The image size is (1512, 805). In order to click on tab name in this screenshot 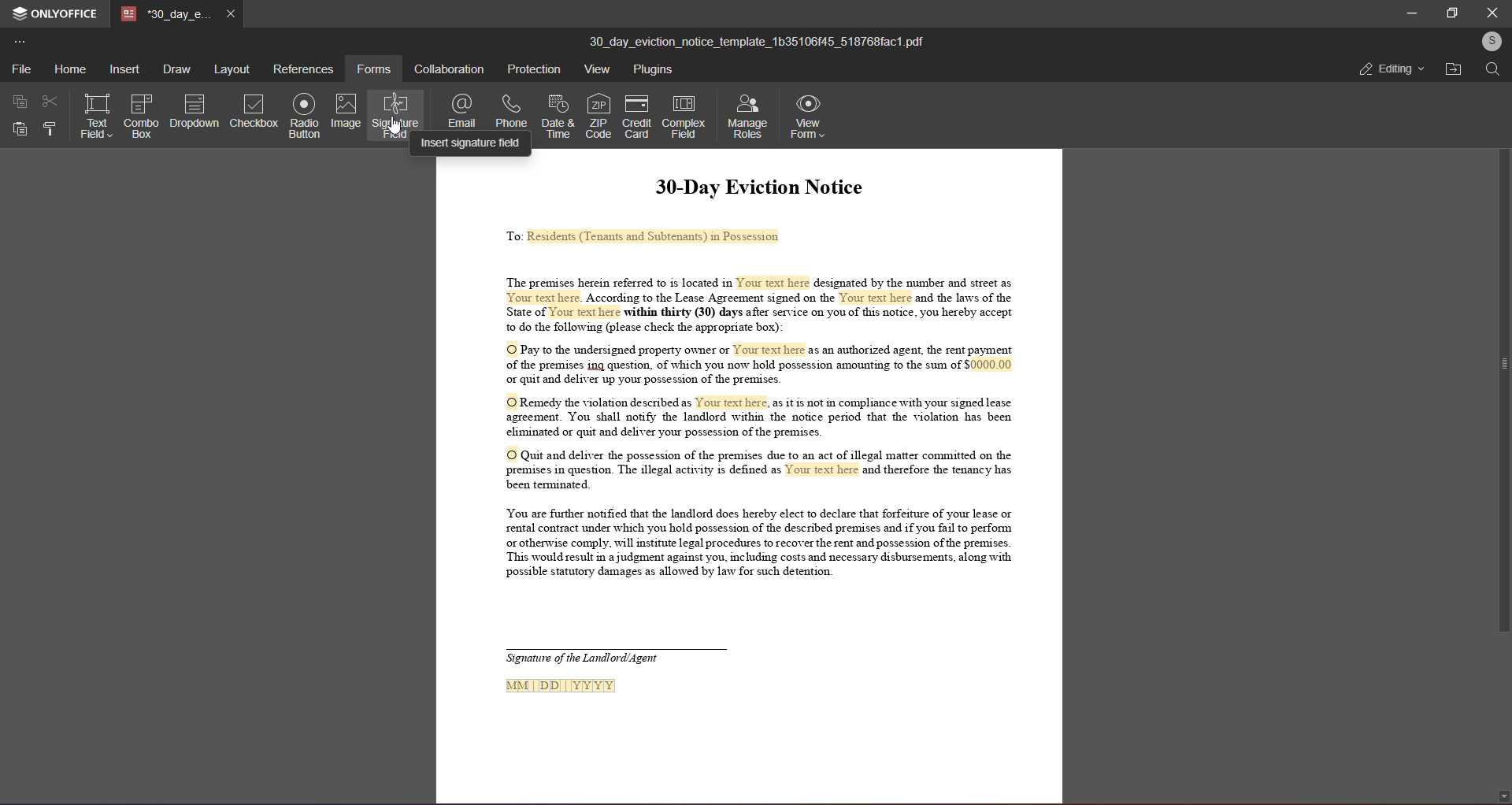, I will do `click(168, 14)`.